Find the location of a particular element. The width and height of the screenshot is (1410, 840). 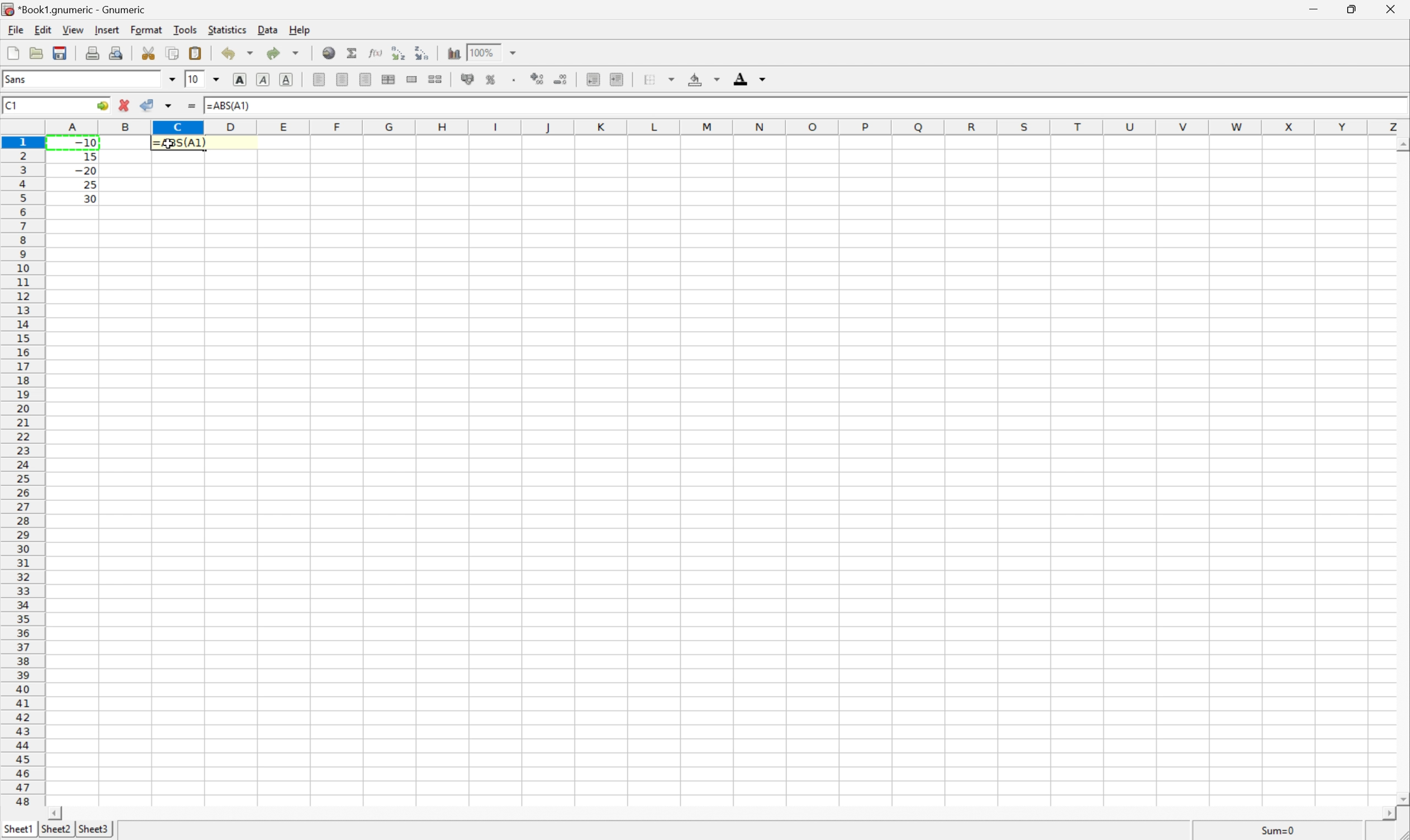

Copy the selection is located at coordinates (152, 49).